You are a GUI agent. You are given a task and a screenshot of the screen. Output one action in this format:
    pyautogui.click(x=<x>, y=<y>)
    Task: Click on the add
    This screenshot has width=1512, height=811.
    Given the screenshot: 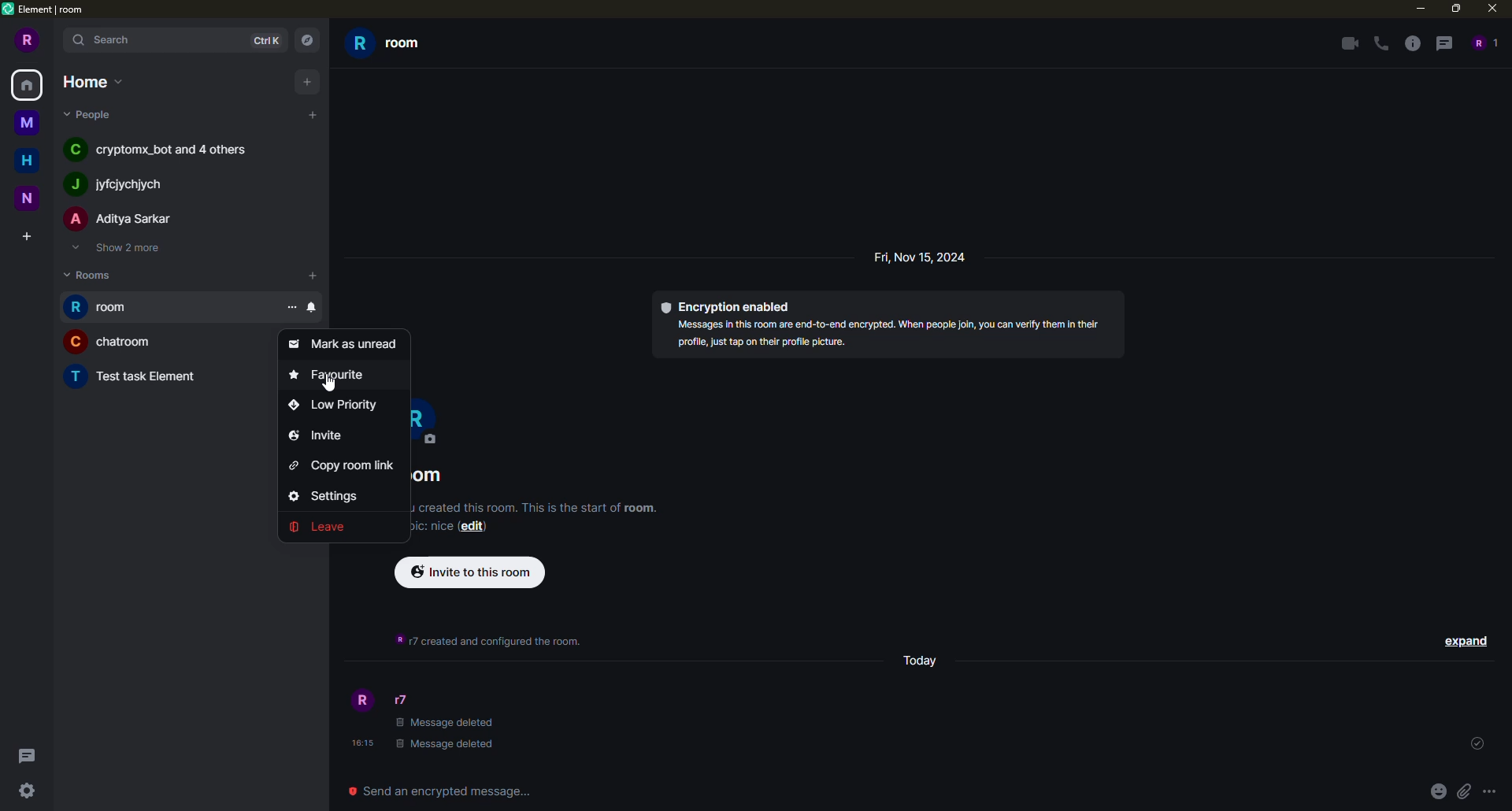 What is the action you would take?
    pyautogui.click(x=313, y=278)
    